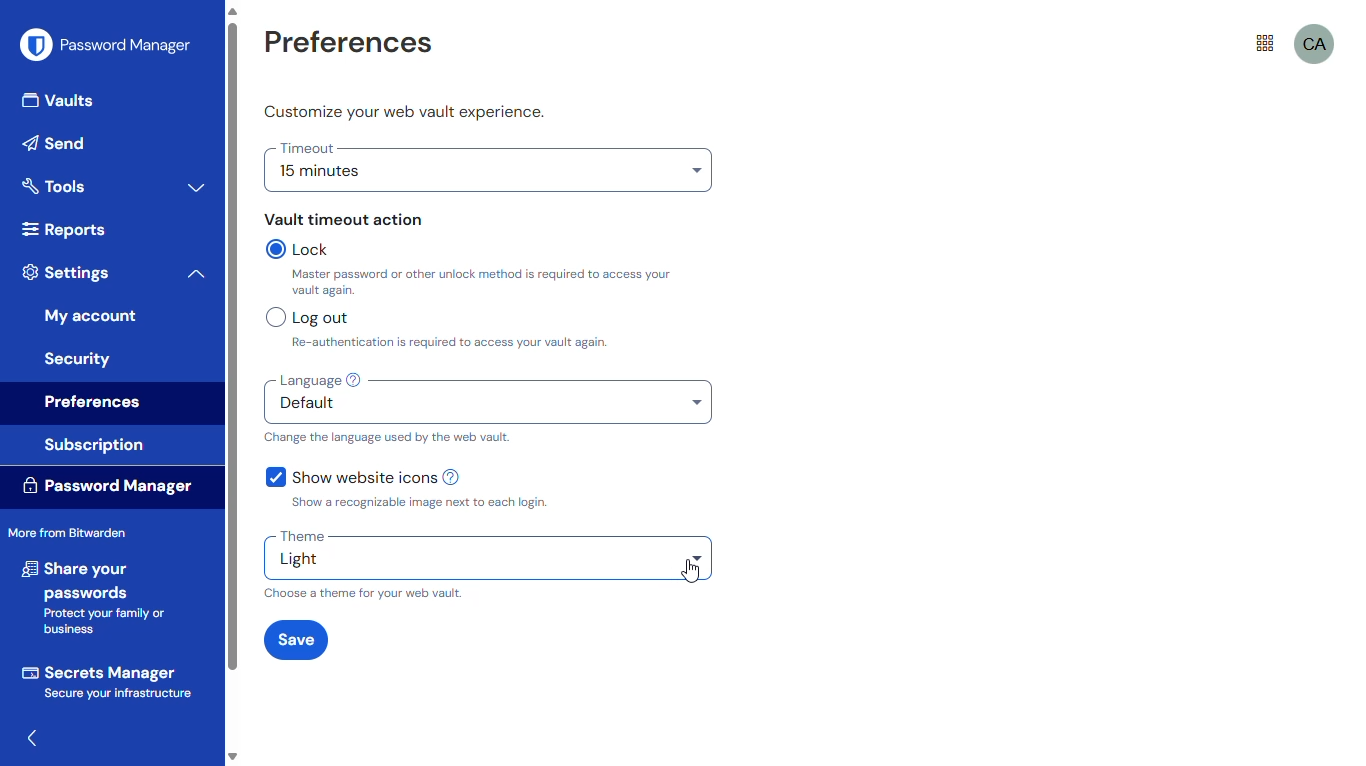 This screenshot has height=766, width=1366. What do you see at coordinates (1265, 44) in the screenshot?
I see `more from bitwarden` at bounding box center [1265, 44].